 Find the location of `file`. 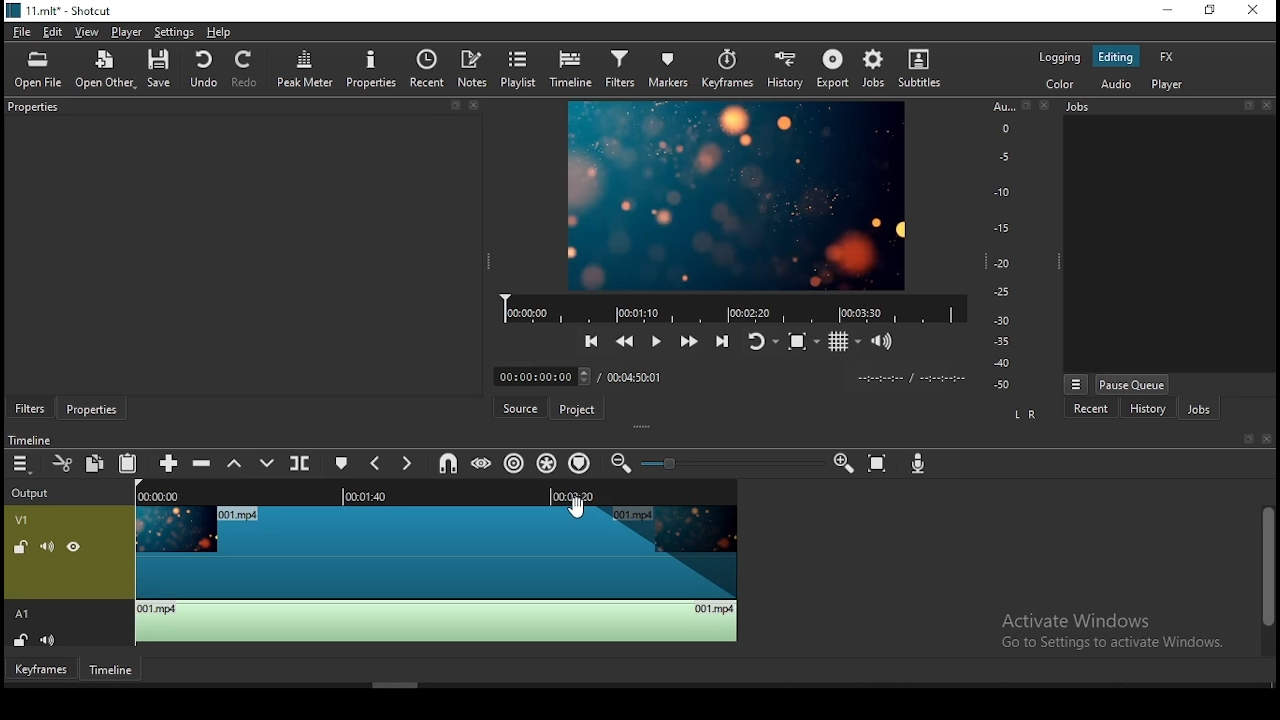

file is located at coordinates (20, 31).